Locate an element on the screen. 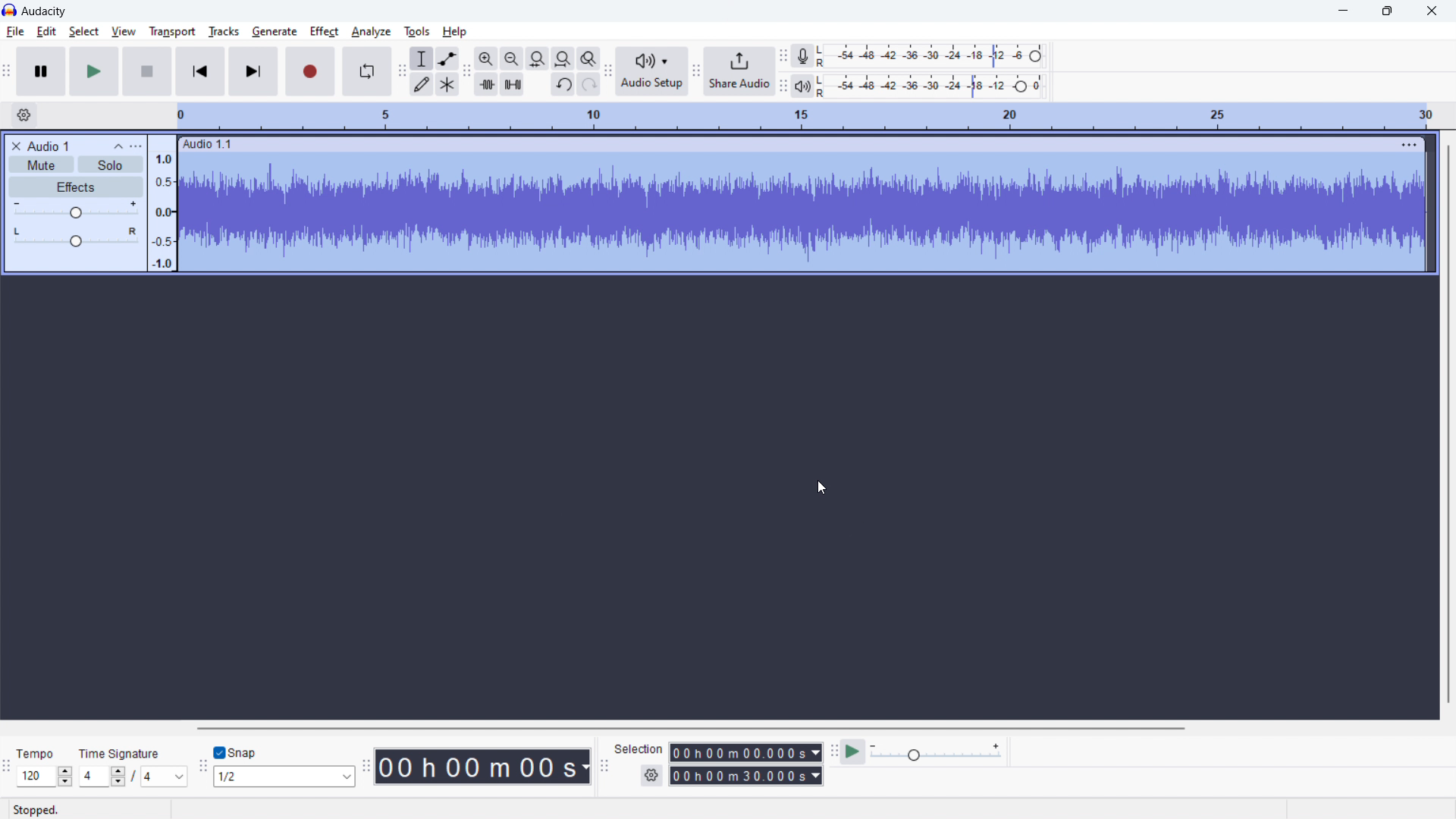 Image resolution: width=1456 pixels, height=819 pixels. enable loop is located at coordinates (366, 71).